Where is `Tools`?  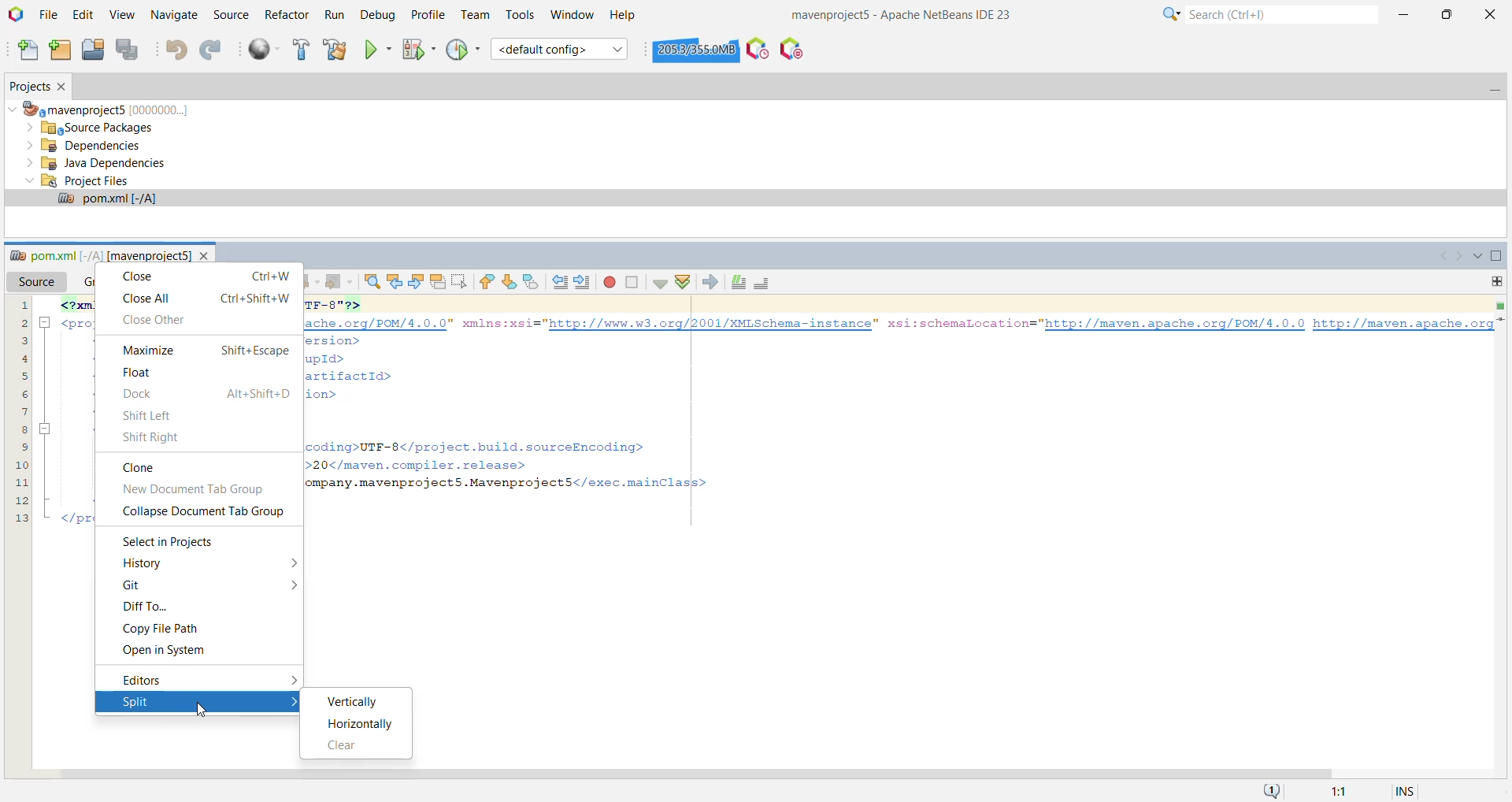
Tools is located at coordinates (521, 15).